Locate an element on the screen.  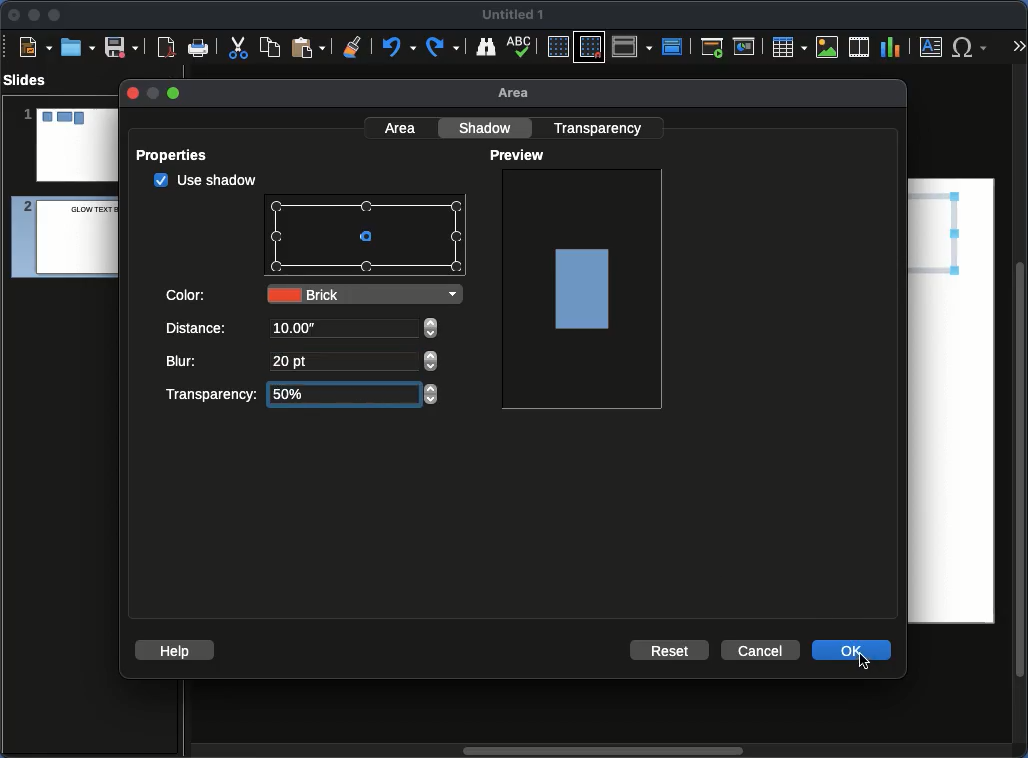
Display grid is located at coordinates (557, 48).